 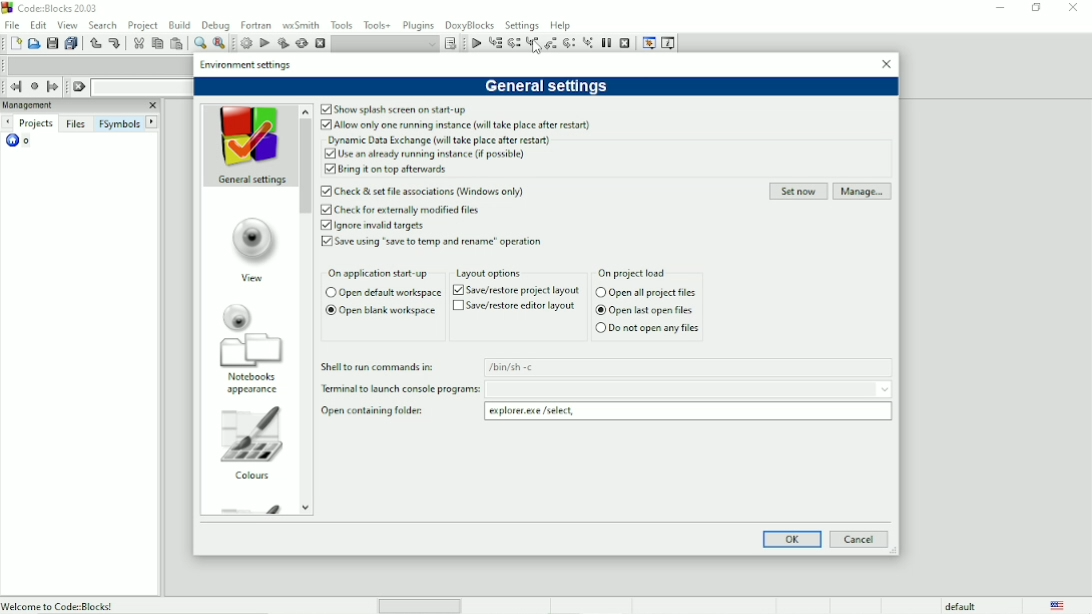 What do you see at coordinates (198, 43) in the screenshot?
I see `Find` at bounding box center [198, 43].